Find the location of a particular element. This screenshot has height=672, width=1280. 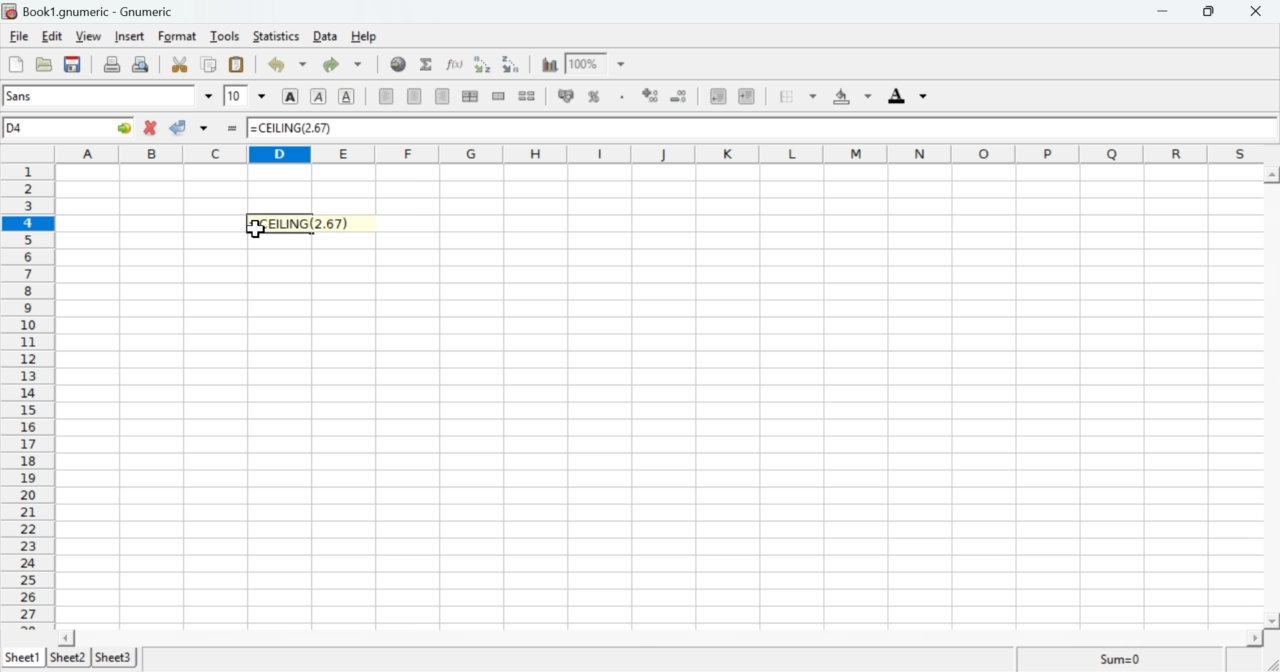

close is located at coordinates (1260, 11).